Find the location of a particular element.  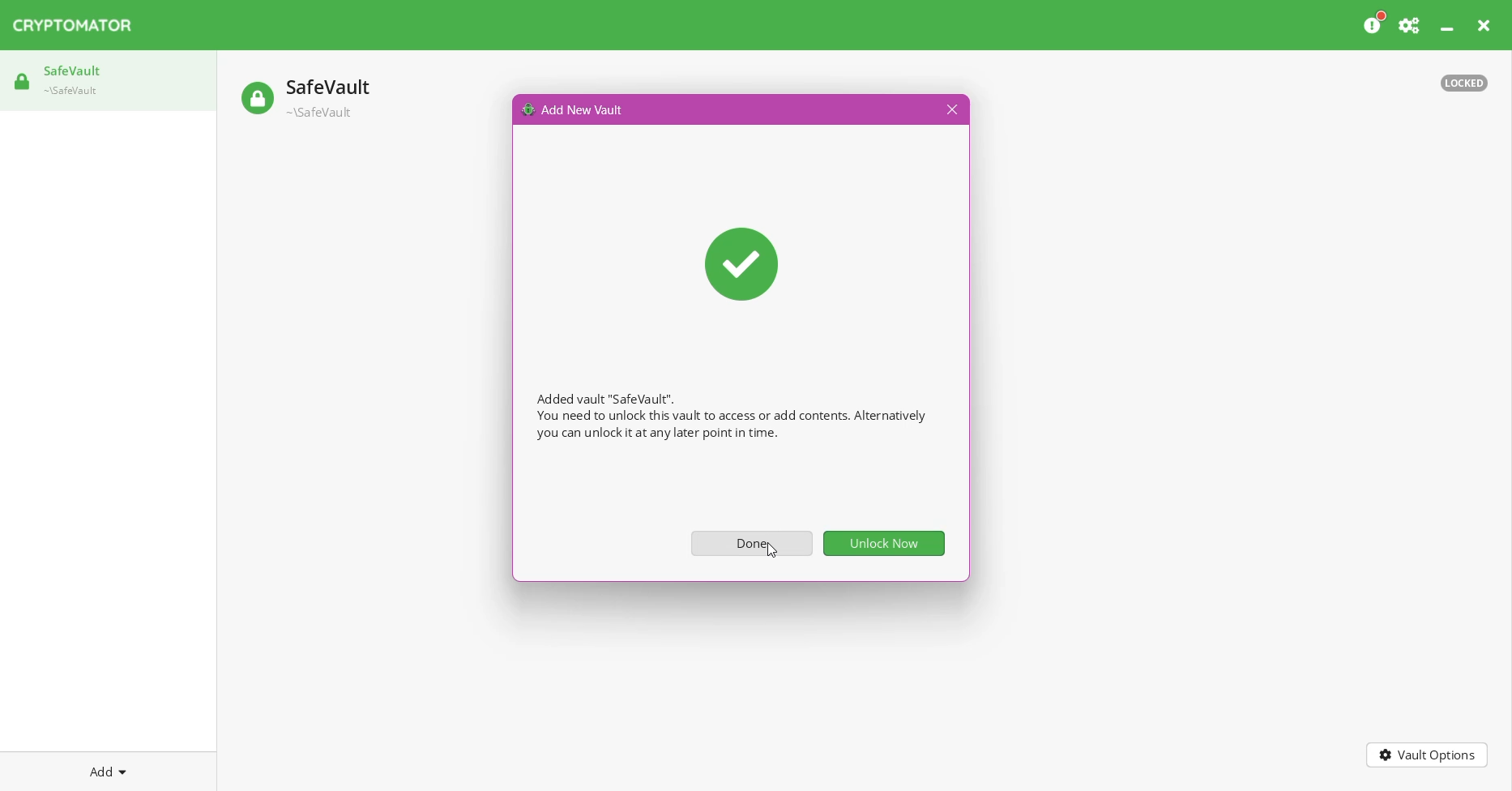

Cursor is located at coordinates (773, 549).